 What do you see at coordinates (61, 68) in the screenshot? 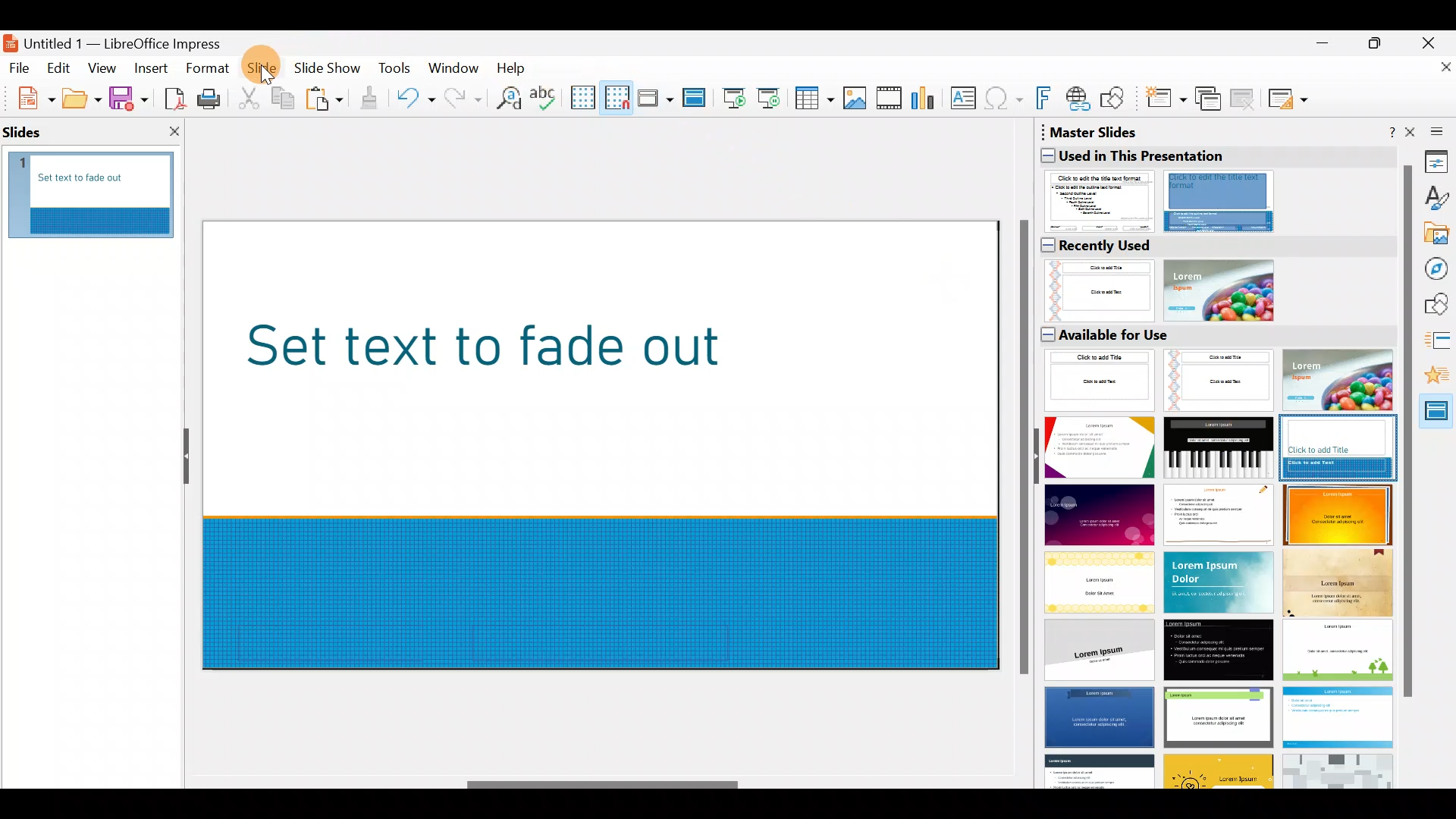
I see `Edit` at bounding box center [61, 68].